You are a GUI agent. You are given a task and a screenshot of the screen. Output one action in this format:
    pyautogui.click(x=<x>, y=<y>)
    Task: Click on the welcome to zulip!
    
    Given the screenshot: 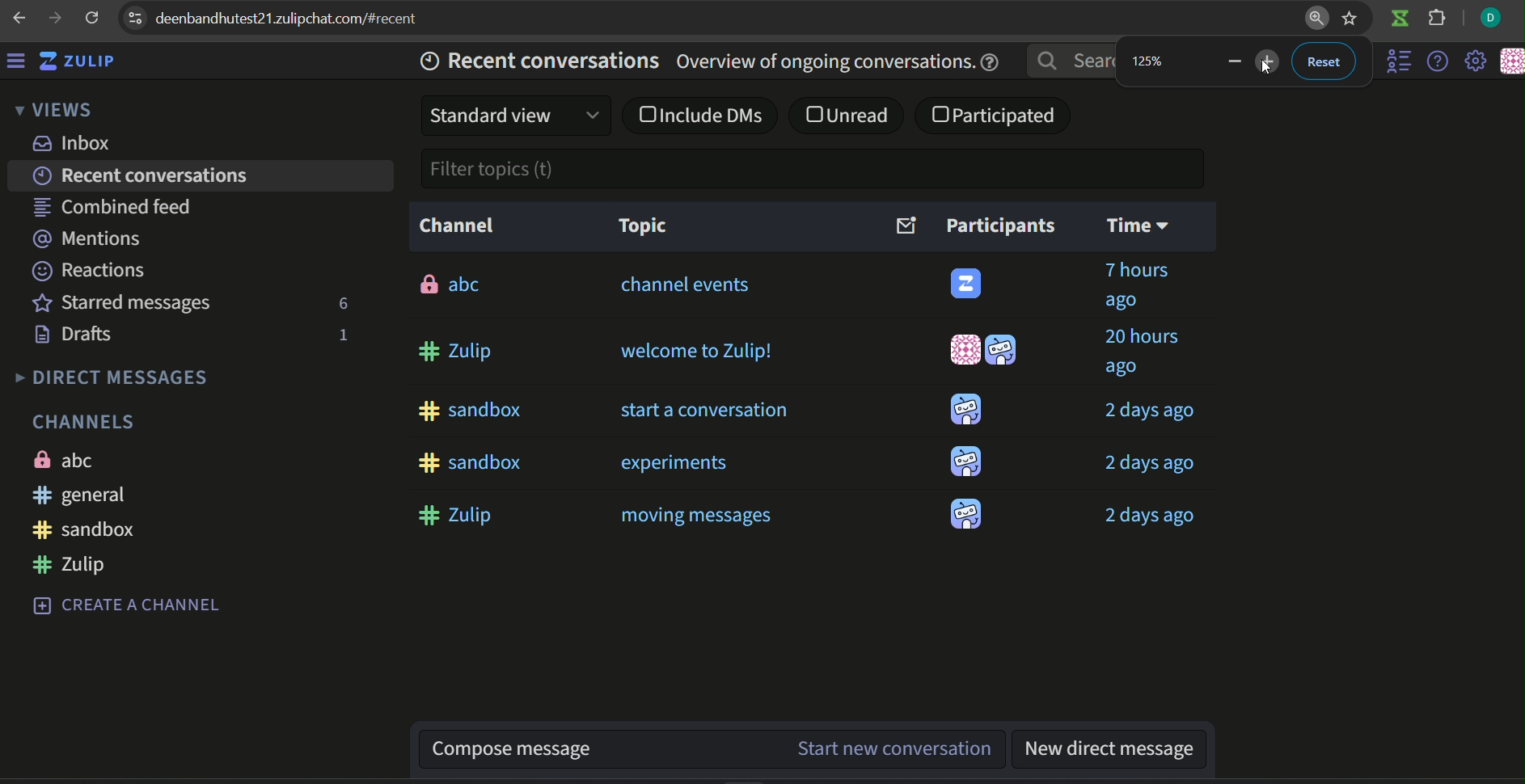 What is the action you would take?
    pyautogui.click(x=695, y=352)
    